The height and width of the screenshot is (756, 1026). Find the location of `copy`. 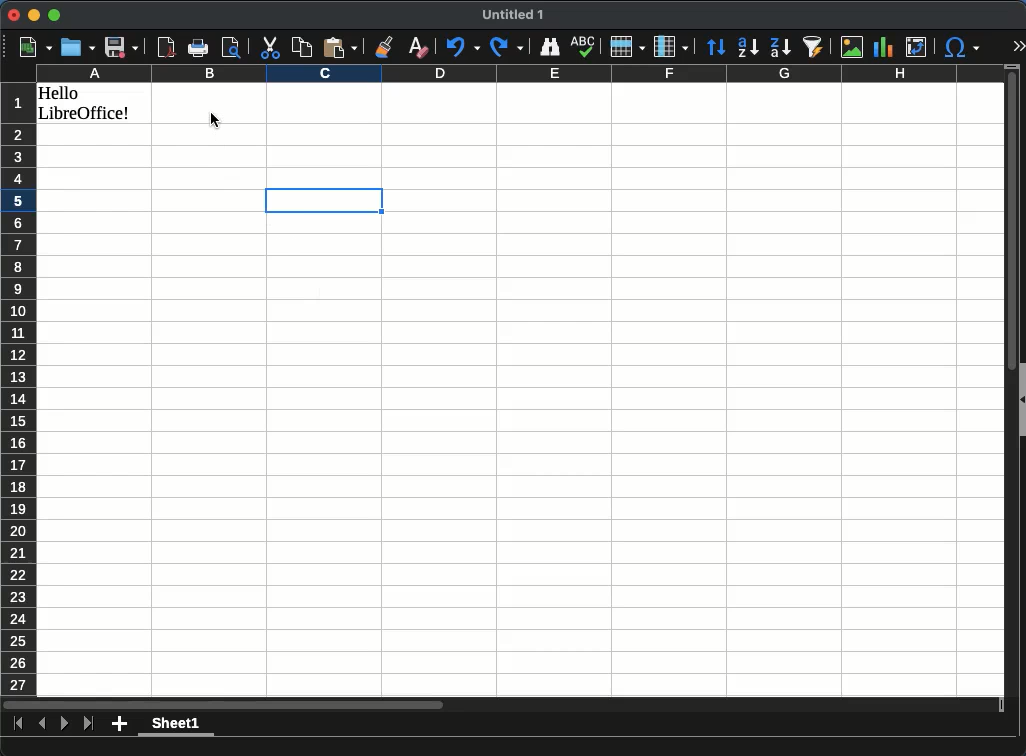

copy is located at coordinates (301, 46).